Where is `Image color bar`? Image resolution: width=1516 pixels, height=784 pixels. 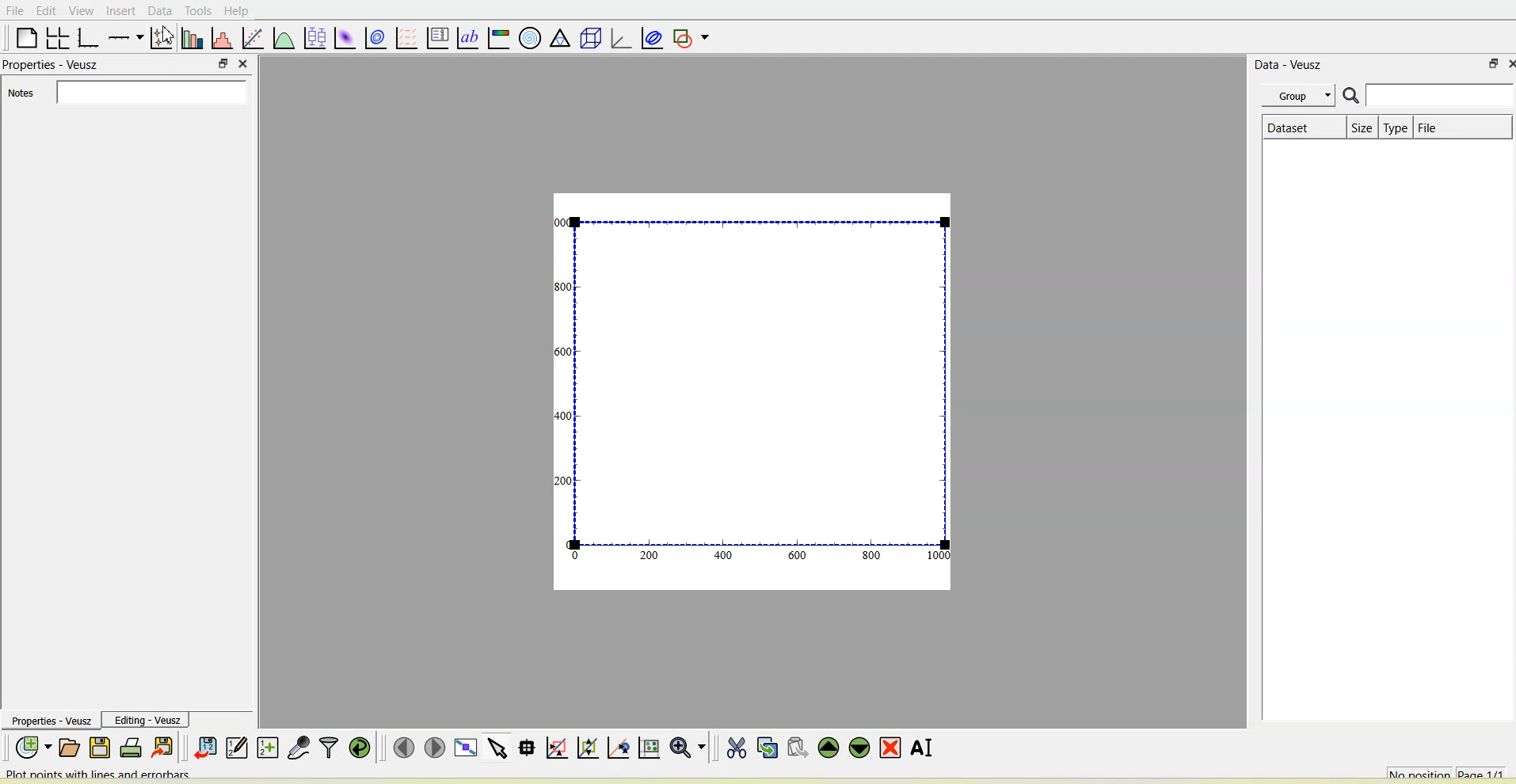 Image color bar is located at coordinates (498, 36).